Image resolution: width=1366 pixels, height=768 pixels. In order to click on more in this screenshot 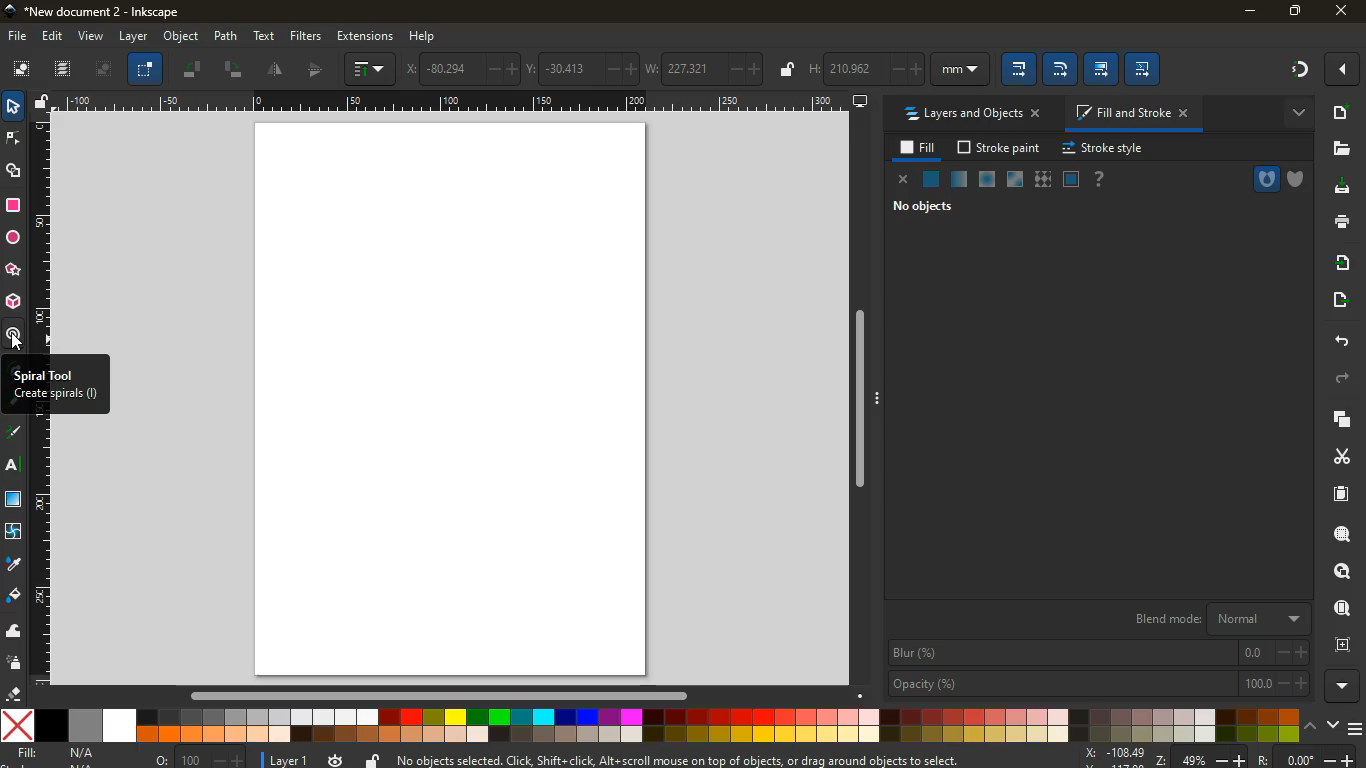, I will do `click(1340, 71)`.